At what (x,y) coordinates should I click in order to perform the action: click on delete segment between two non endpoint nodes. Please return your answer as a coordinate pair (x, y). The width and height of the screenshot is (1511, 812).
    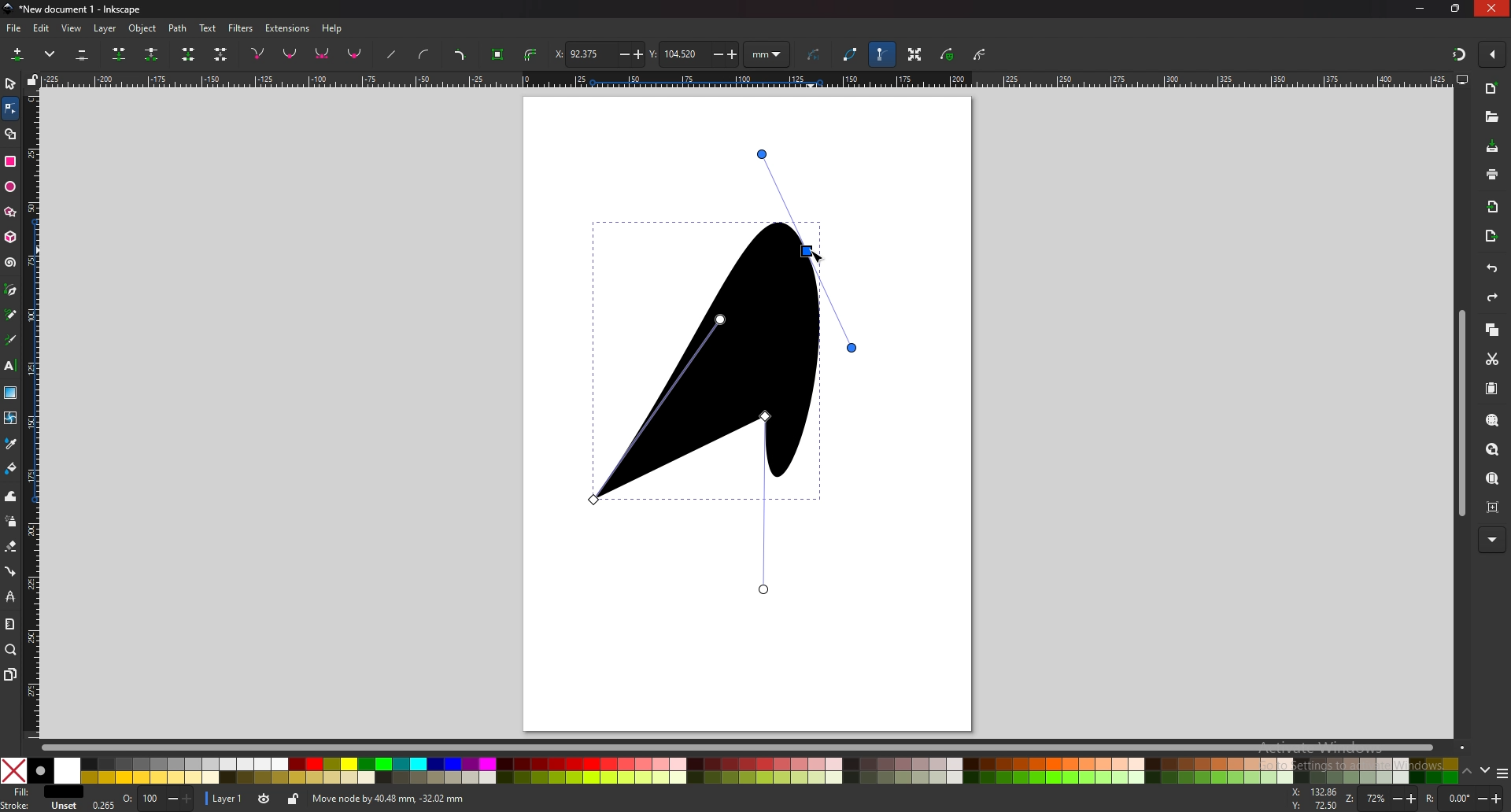
    Looking at the image, I should click on (220, 54).